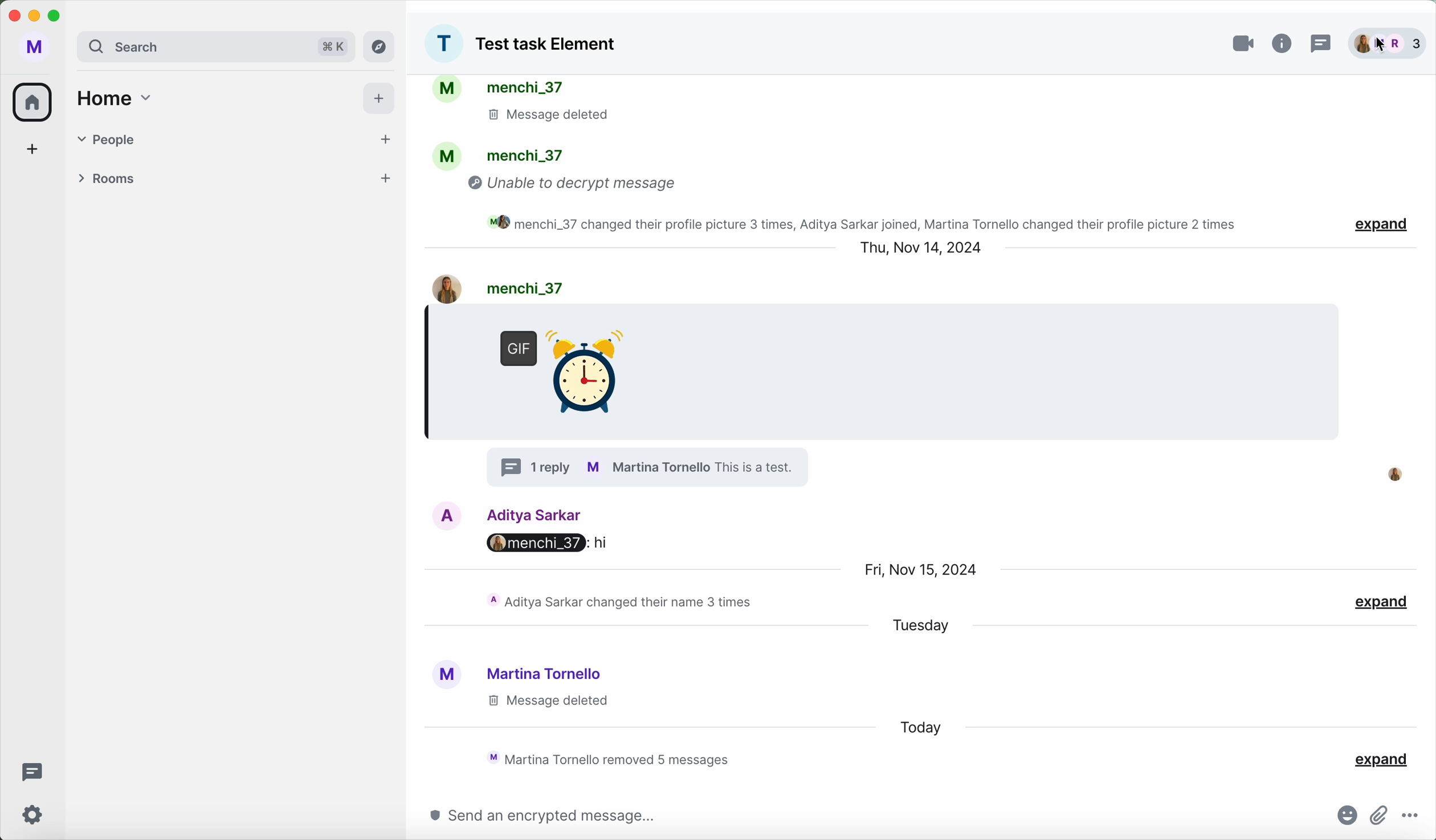 The image size is (1436, 840). What do you see at coordinates (520, 286) in the screenshot?
I see `user` at bounding box center [520, 286].